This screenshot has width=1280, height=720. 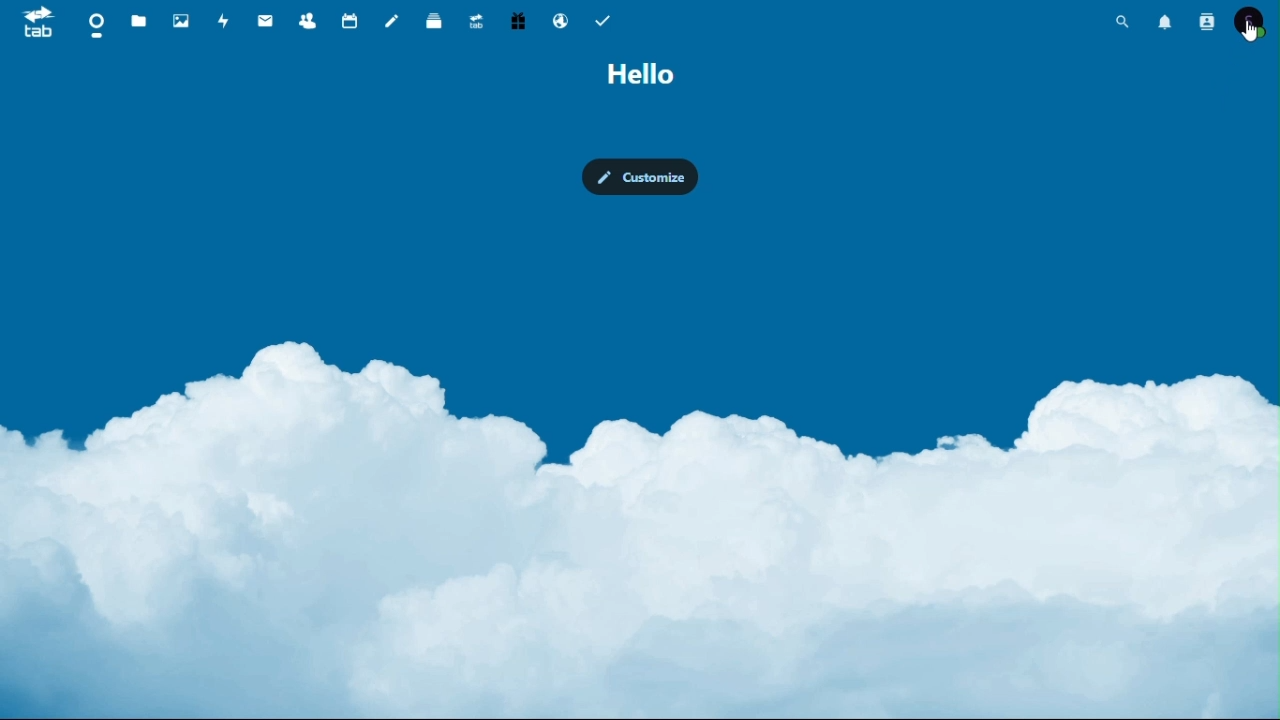 I want to click on Activity, so click(x=224, y=19).